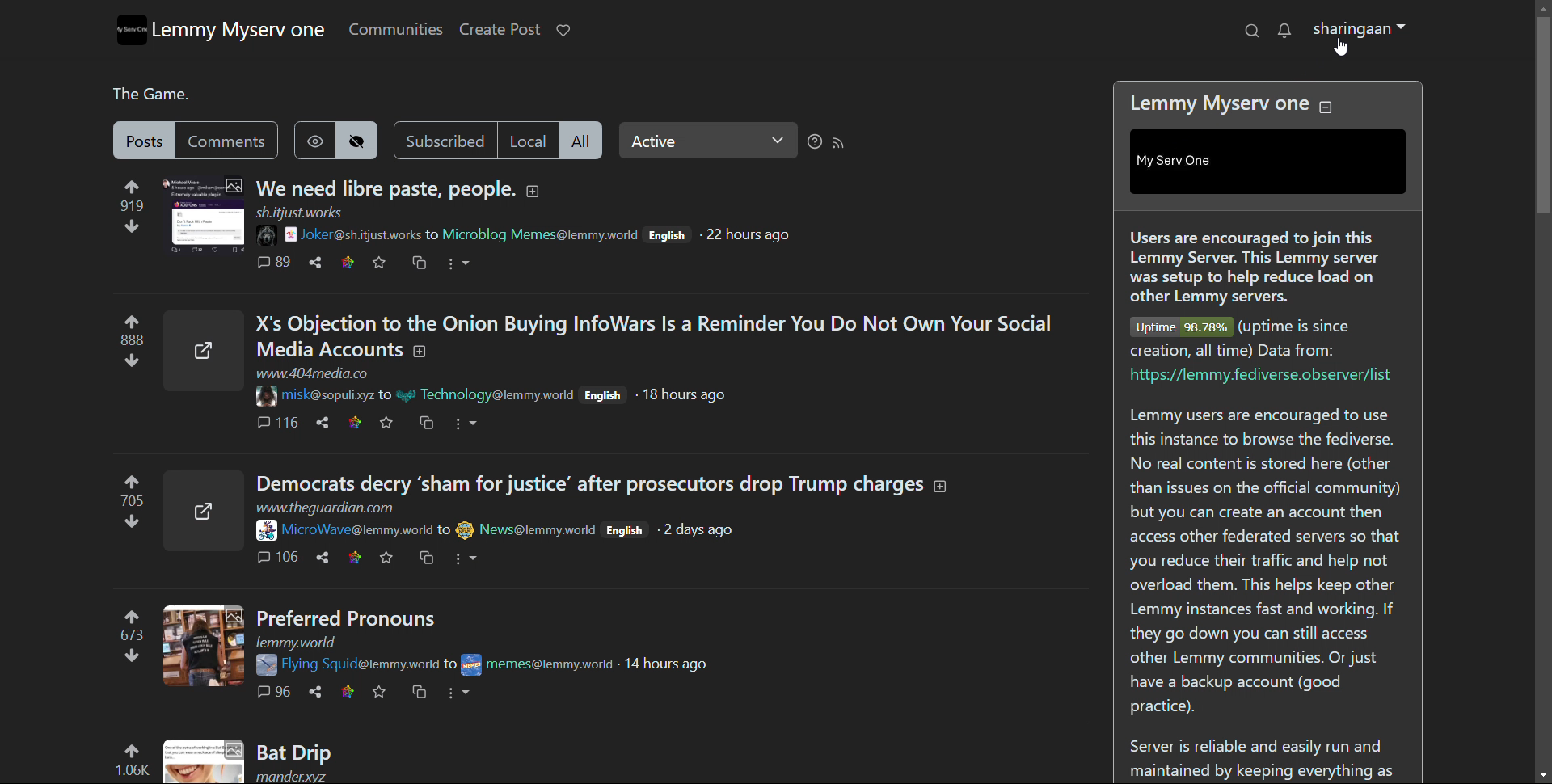 The width and height of the screenshot is (1552, 784). What do you see at coordinates (382, 395) in the screenshot?
I see `to` at bounding box center [382, 395].